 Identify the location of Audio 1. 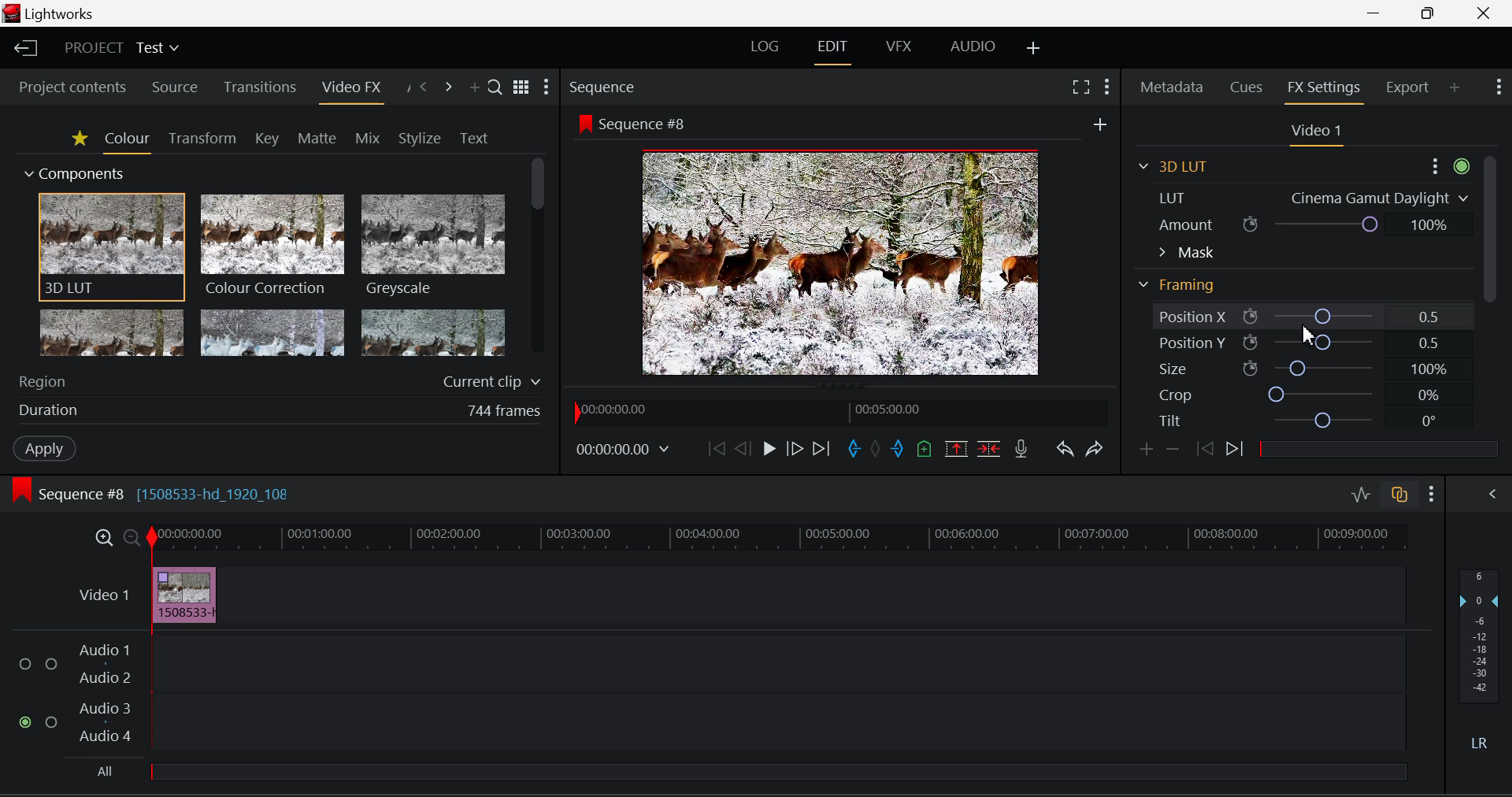
(108, 649).